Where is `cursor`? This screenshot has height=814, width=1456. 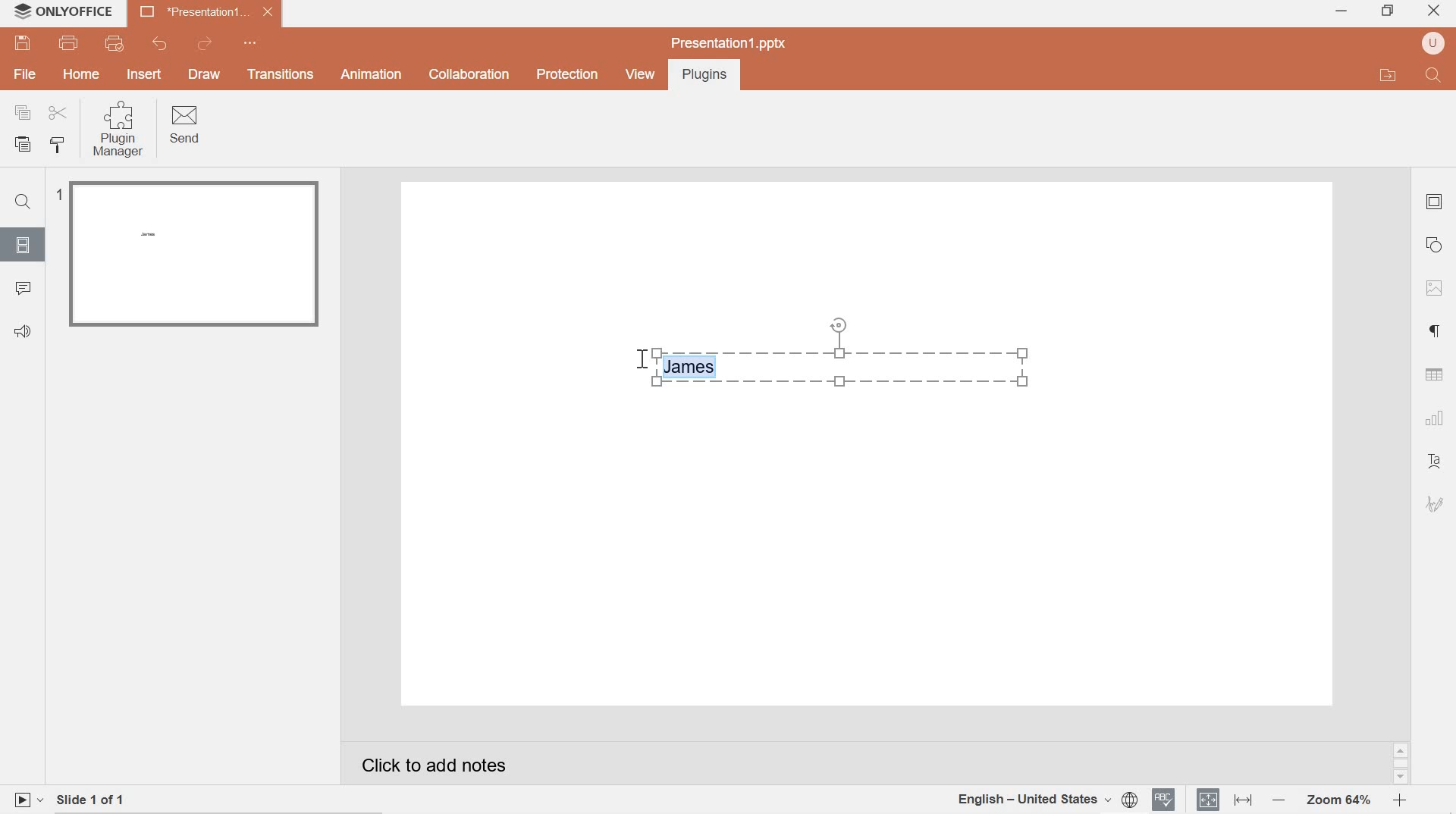
cursor is located at coordinates (641, 361).